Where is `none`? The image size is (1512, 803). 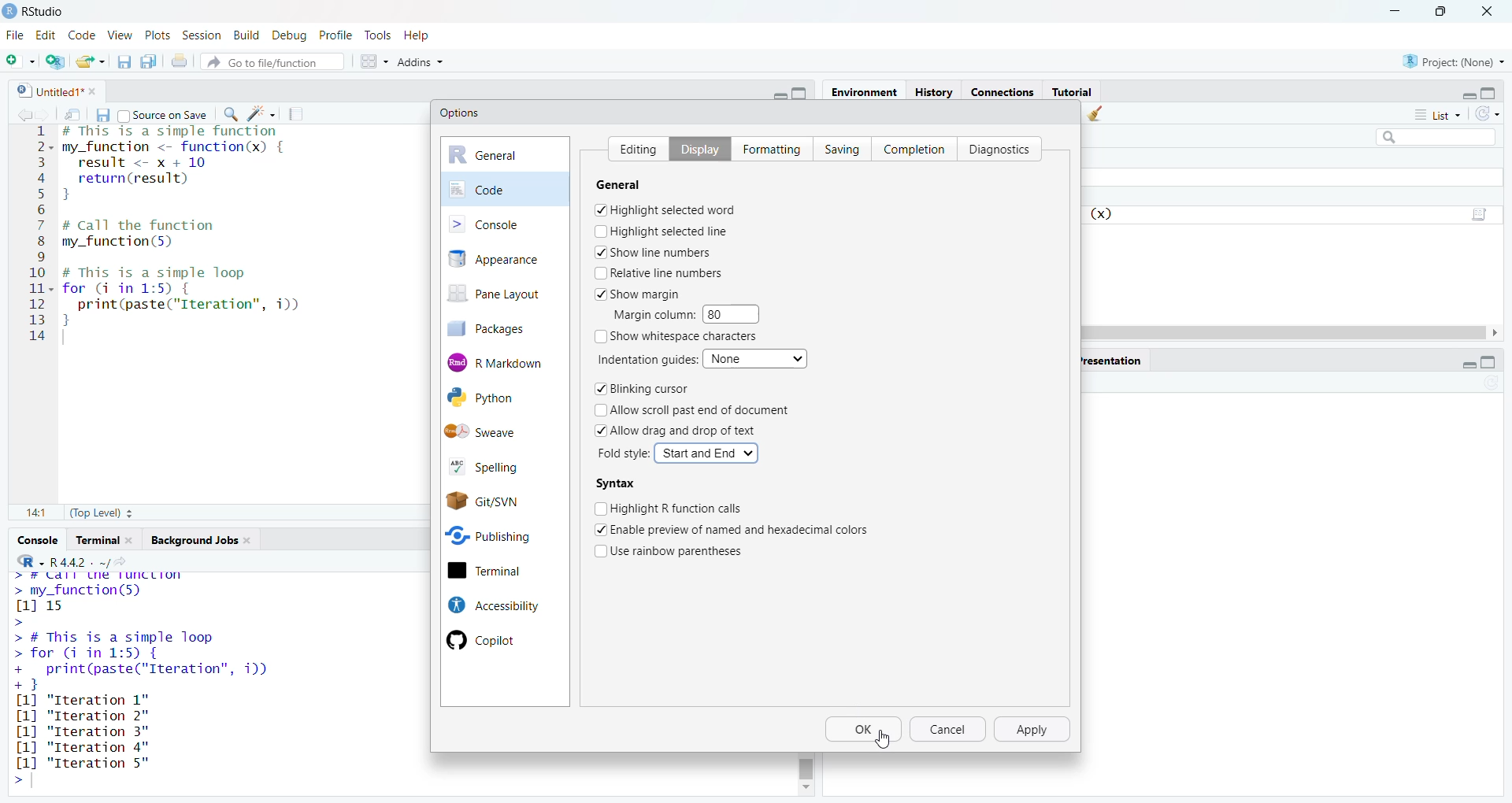
none is located at coordinates (758, 357).